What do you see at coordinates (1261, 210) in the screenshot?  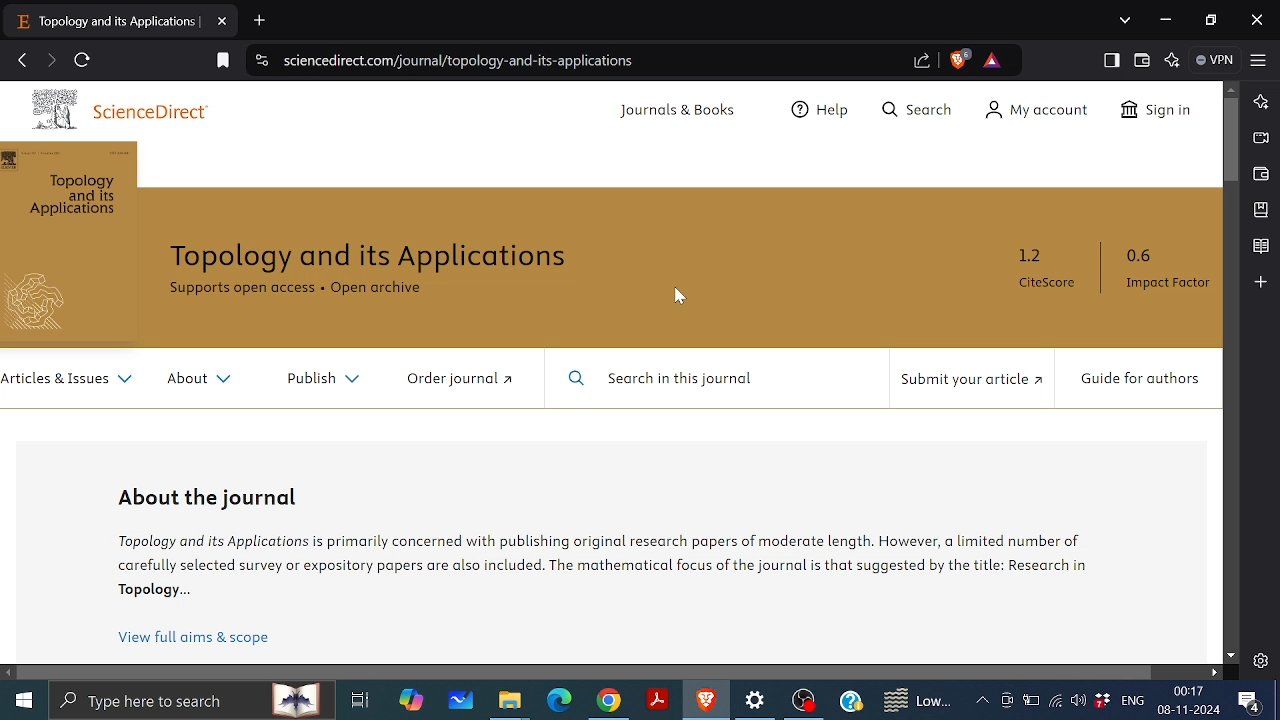 I see `Add bookmark` at bounding box center [1261, 210].